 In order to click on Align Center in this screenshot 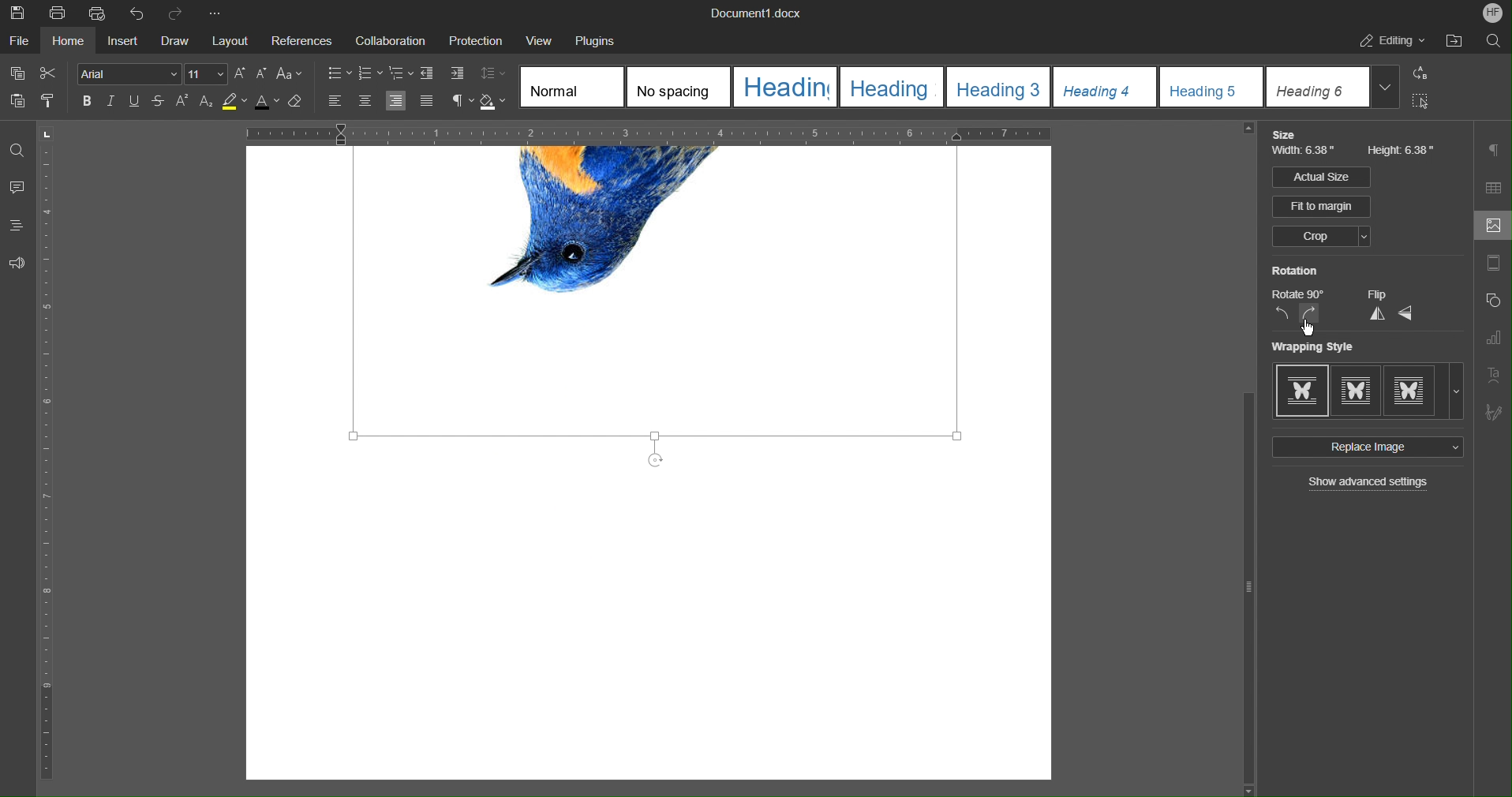, I will do `click(364, 102)`.